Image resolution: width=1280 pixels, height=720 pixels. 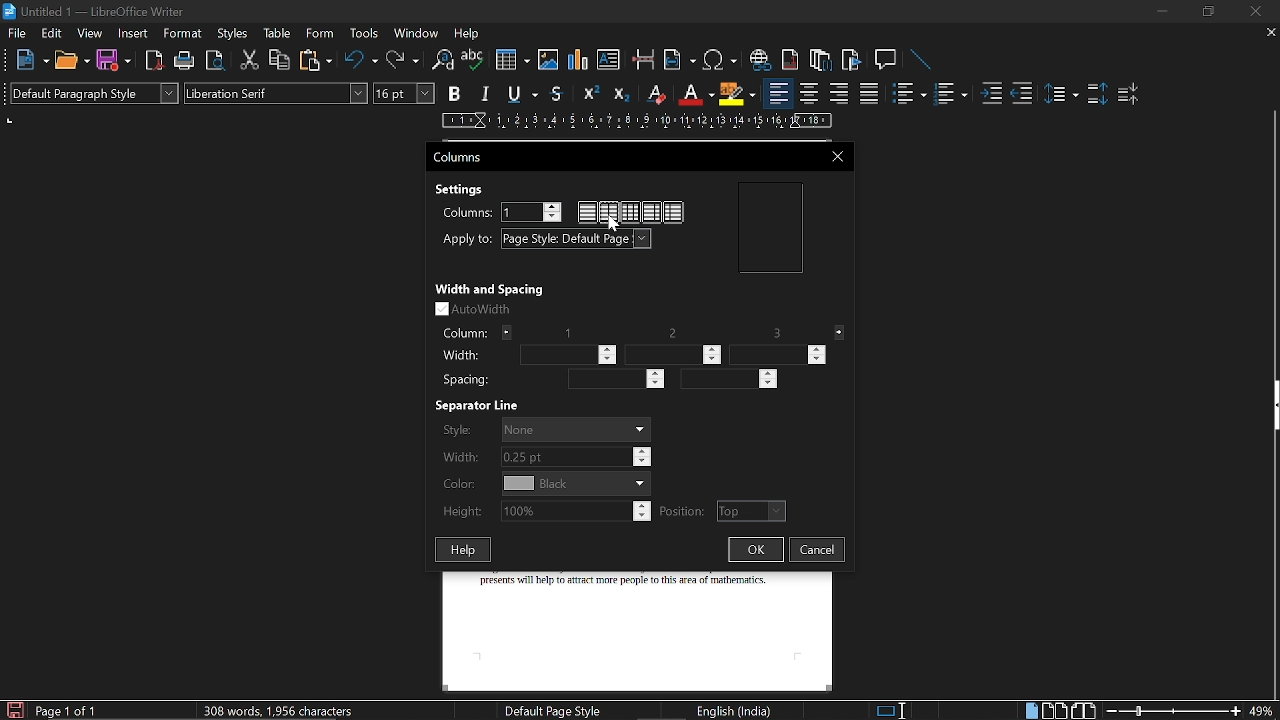 What do you see at coordinates (580, 61) in the screenshot?
I see `insert diagram ` at bounding box center [580, 61].